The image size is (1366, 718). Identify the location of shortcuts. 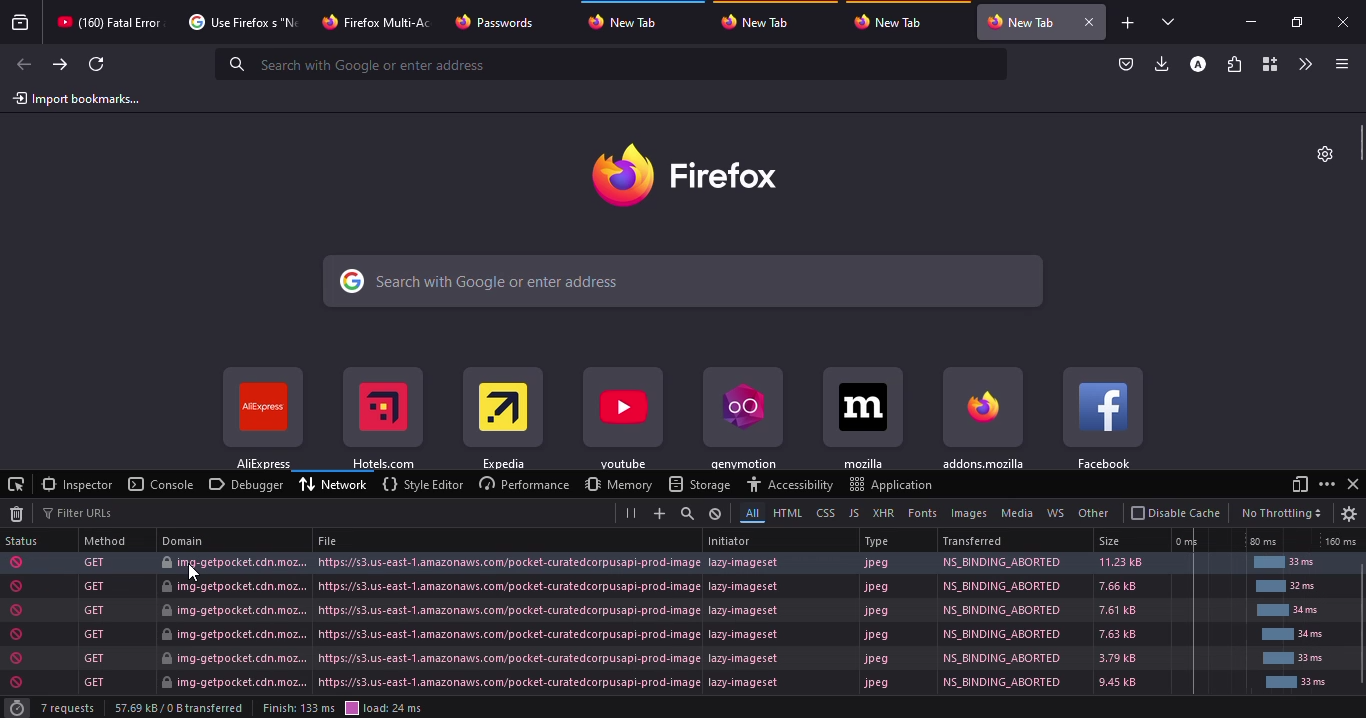
(262, 418).